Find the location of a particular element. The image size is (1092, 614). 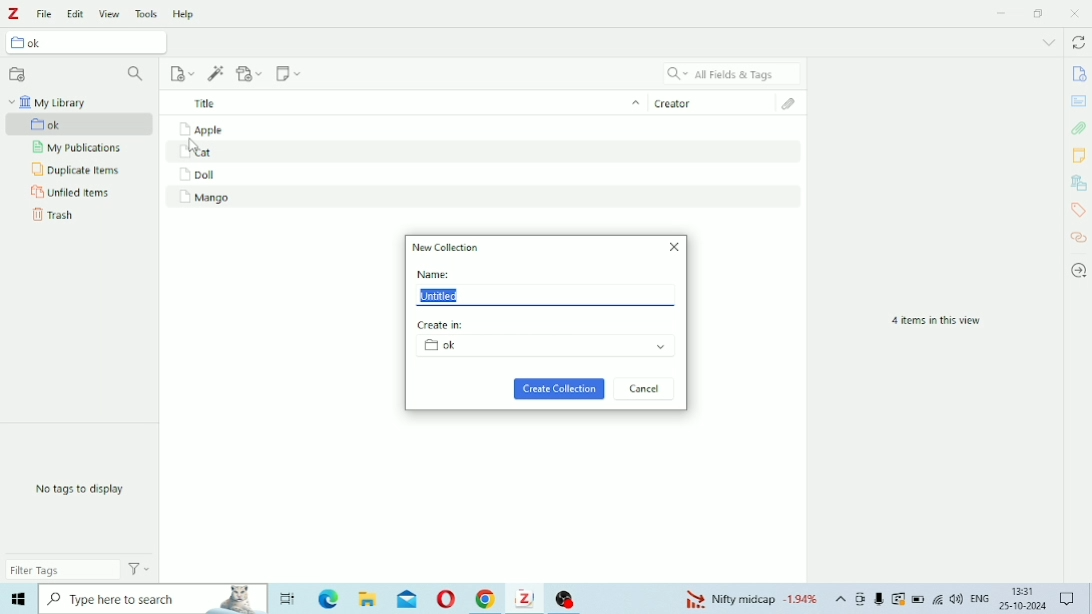

Apple is located at coordinates (200, 130).